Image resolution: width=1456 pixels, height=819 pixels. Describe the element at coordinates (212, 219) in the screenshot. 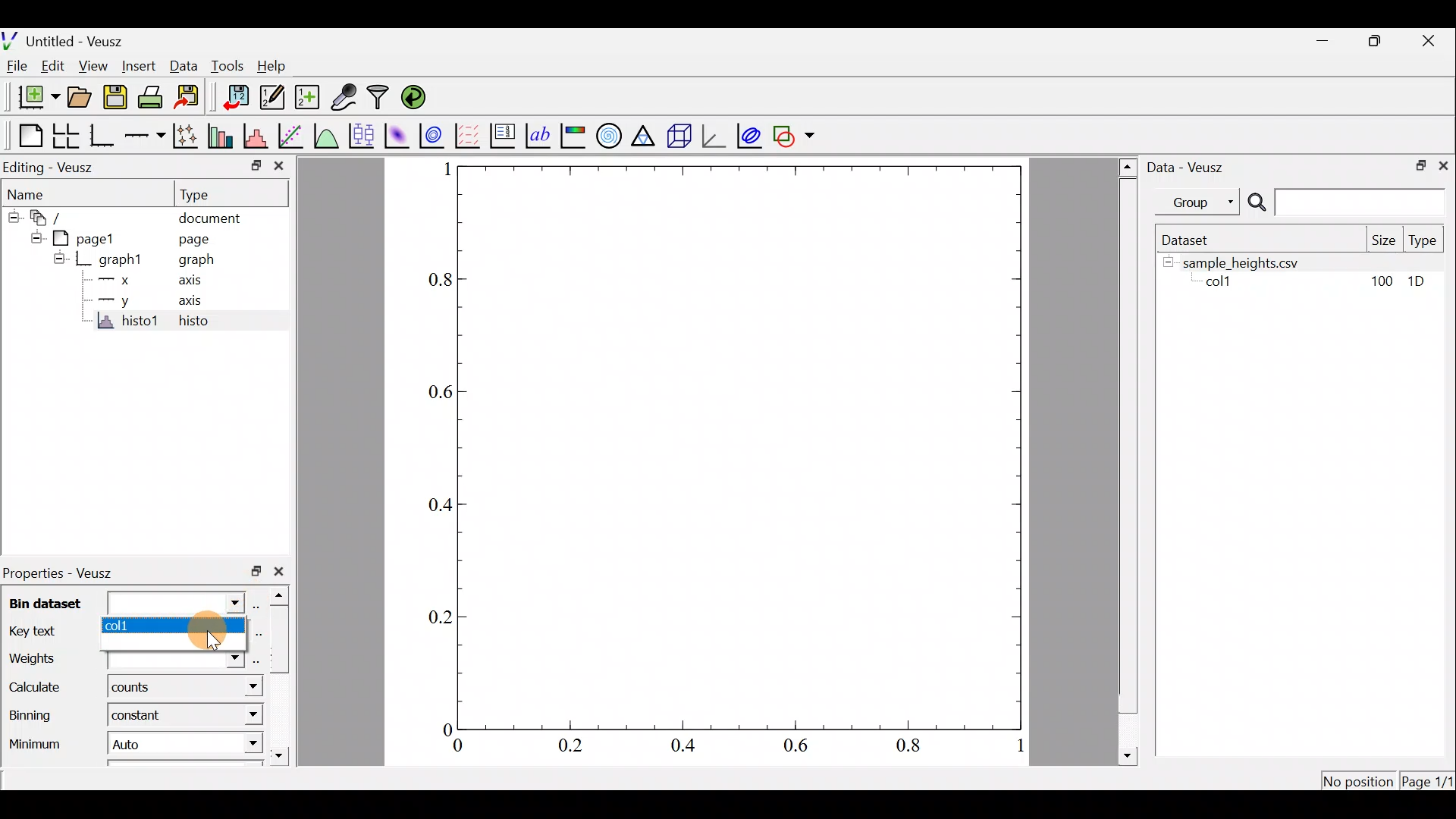

I see `document` at that location.